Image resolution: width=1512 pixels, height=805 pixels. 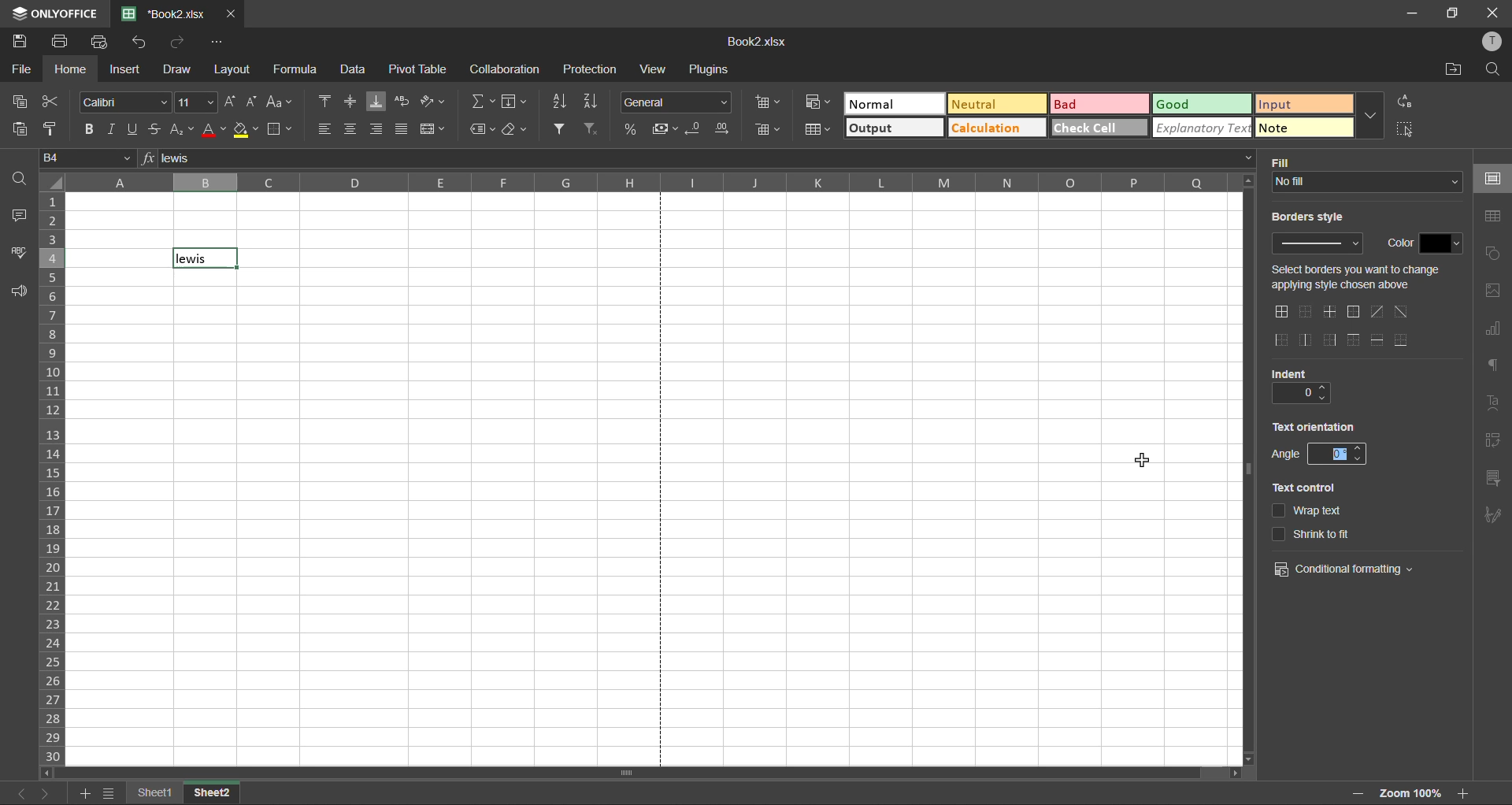 What do you see at coordinates (145, 160) in the screenshot?
I see `formula input` at bounding box center [145, 160].